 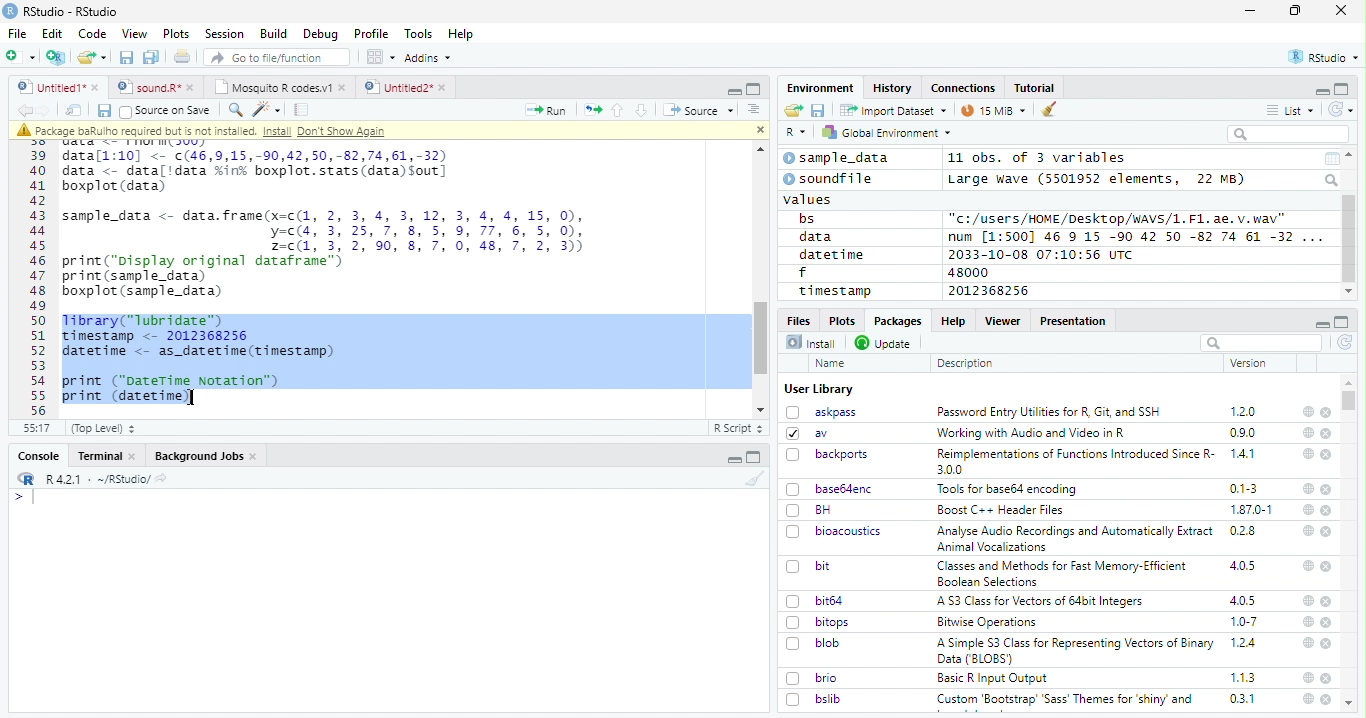 What do you see at coordinates (992, 291) in the screenshot?
I see `2012368256` at bounding box center [992, 291].